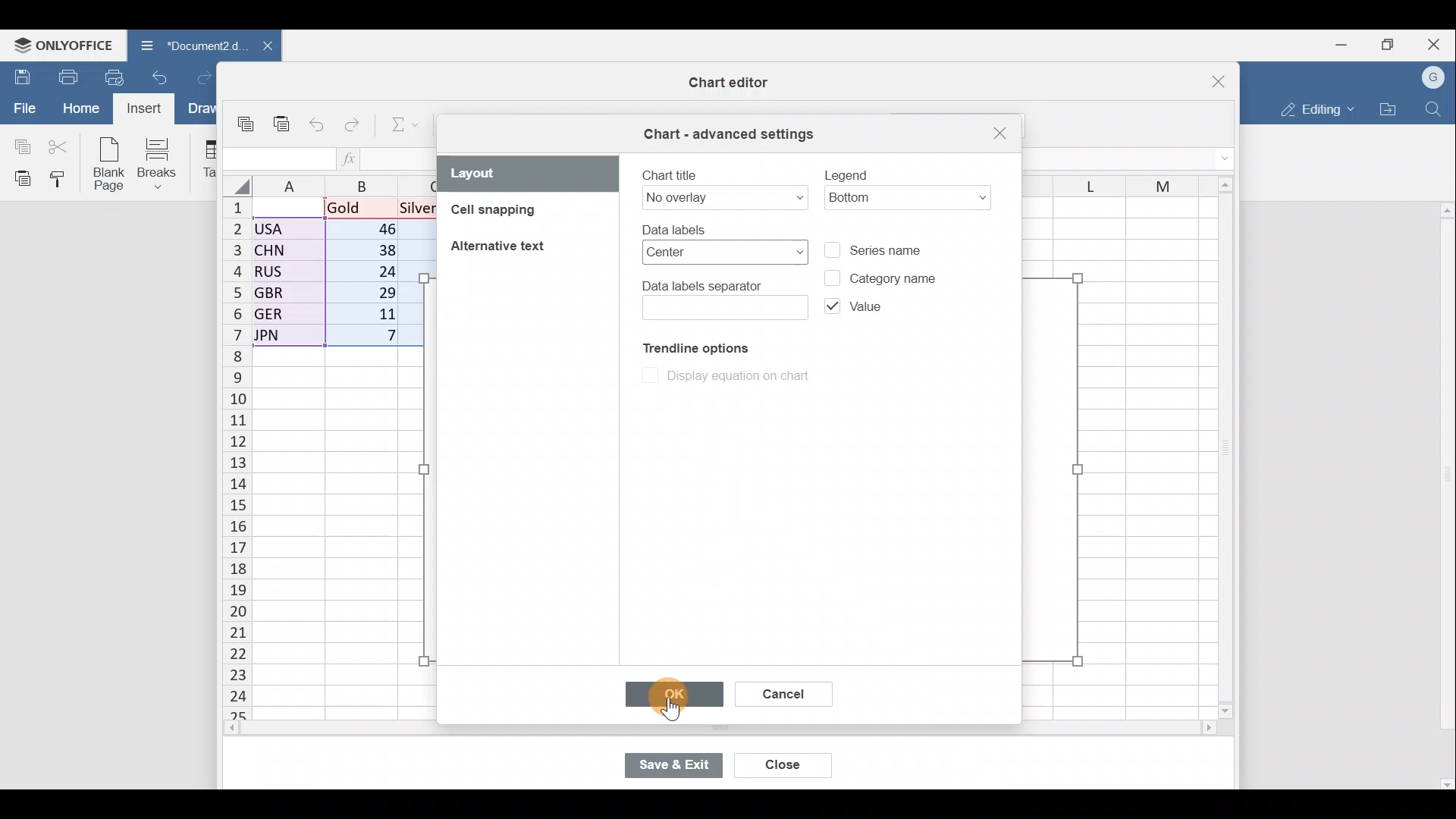  What do you see at coordinates (149, 108) in the screenshot?
I see `Cursor on Insert` at bounding box center [149, 108].